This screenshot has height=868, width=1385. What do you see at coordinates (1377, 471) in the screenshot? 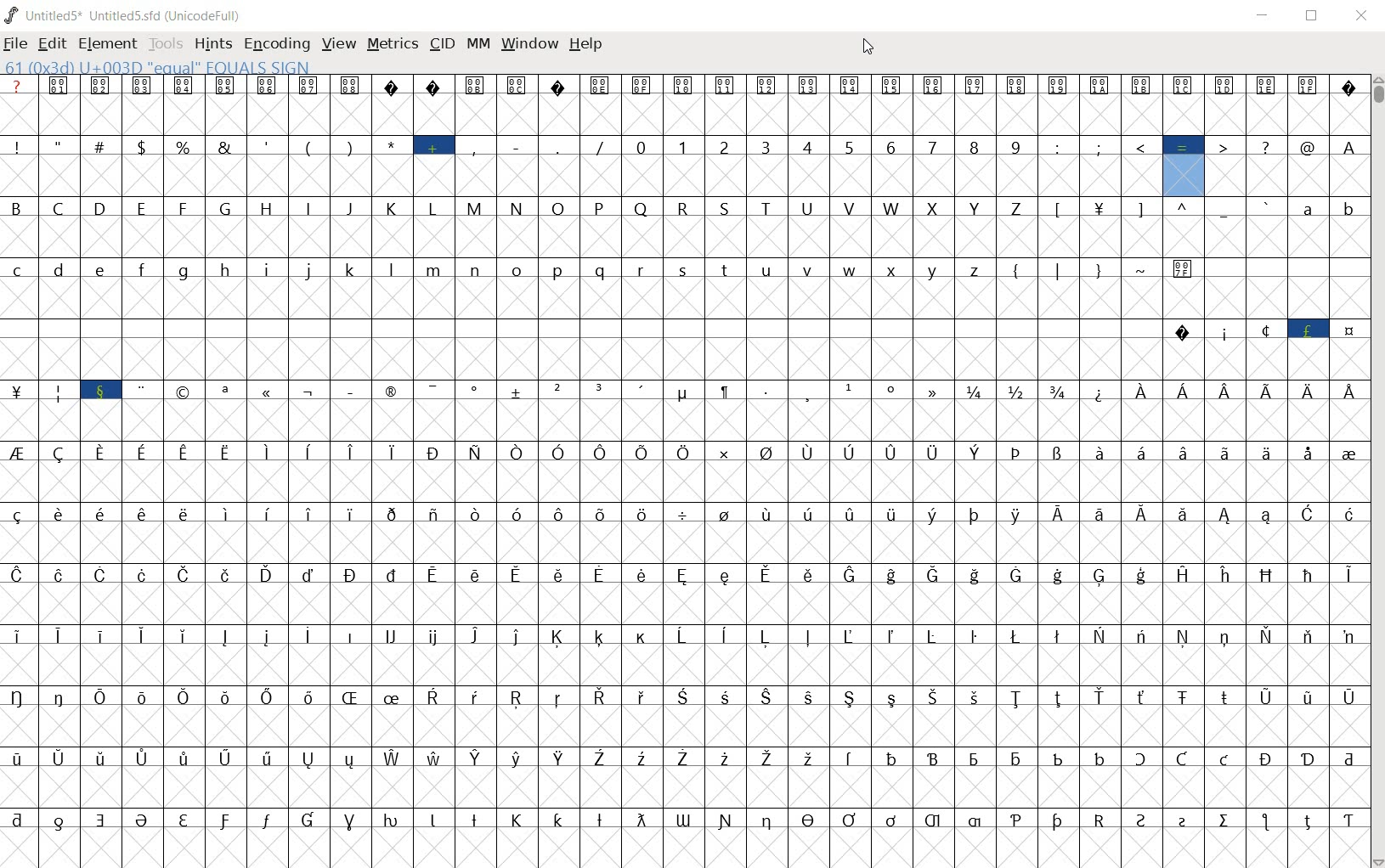
I see `scrollbar` at bounding box center [1377, 471].